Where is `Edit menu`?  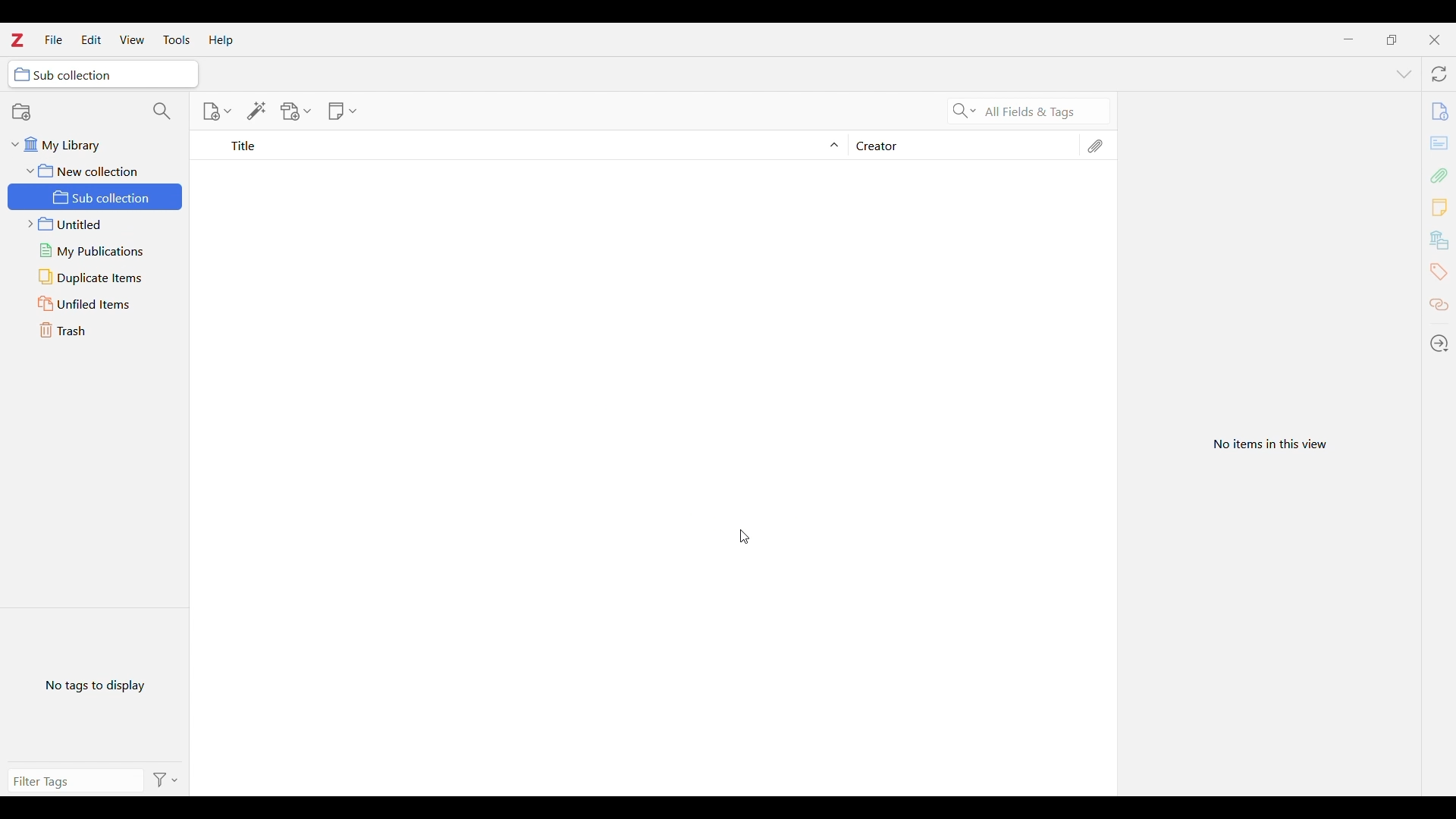
Edit menu is located at coordinates (92, 39).